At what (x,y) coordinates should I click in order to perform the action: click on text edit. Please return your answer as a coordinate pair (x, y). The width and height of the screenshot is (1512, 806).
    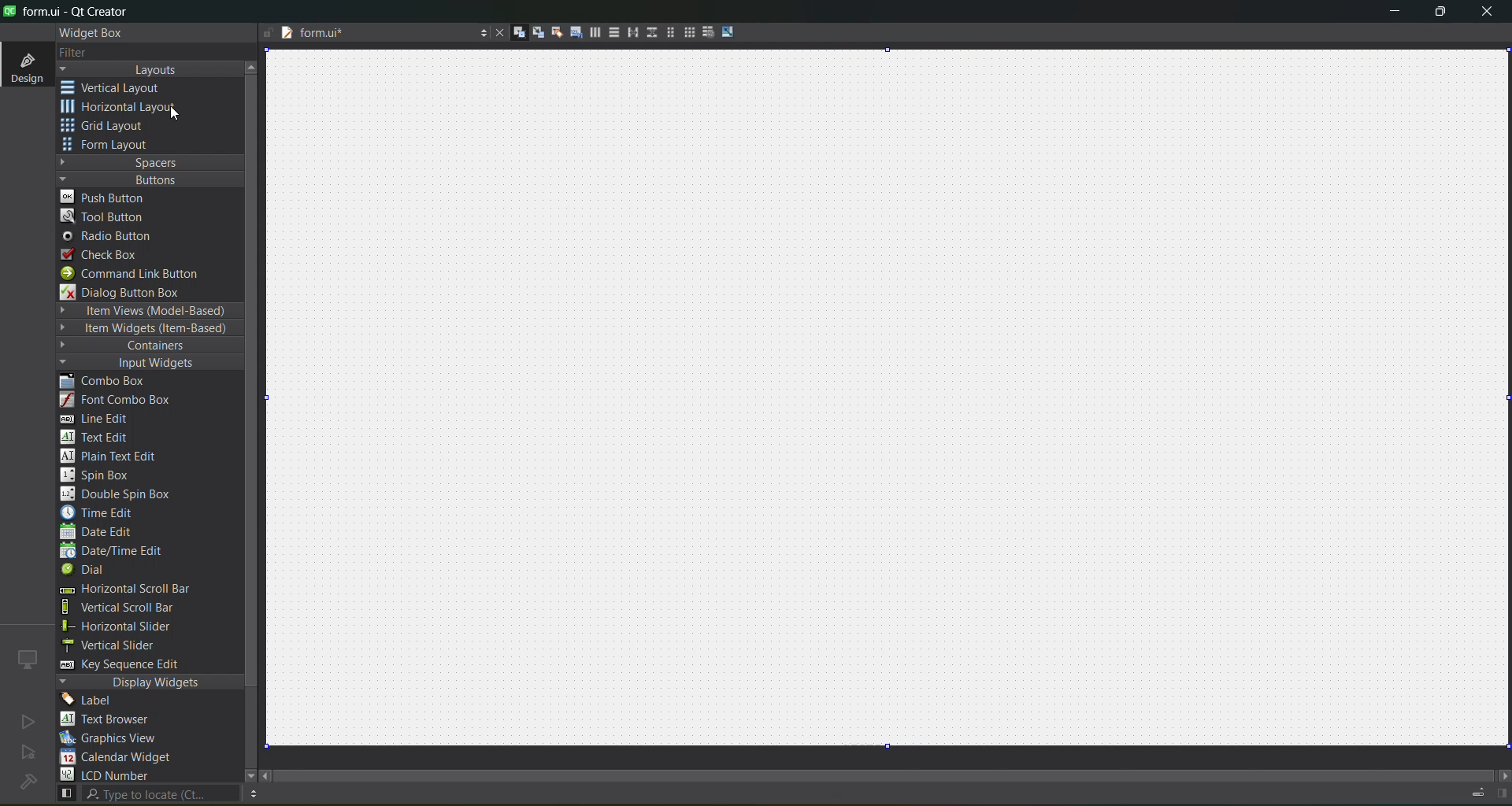
    Looking at the image, I should click on (99, 436).